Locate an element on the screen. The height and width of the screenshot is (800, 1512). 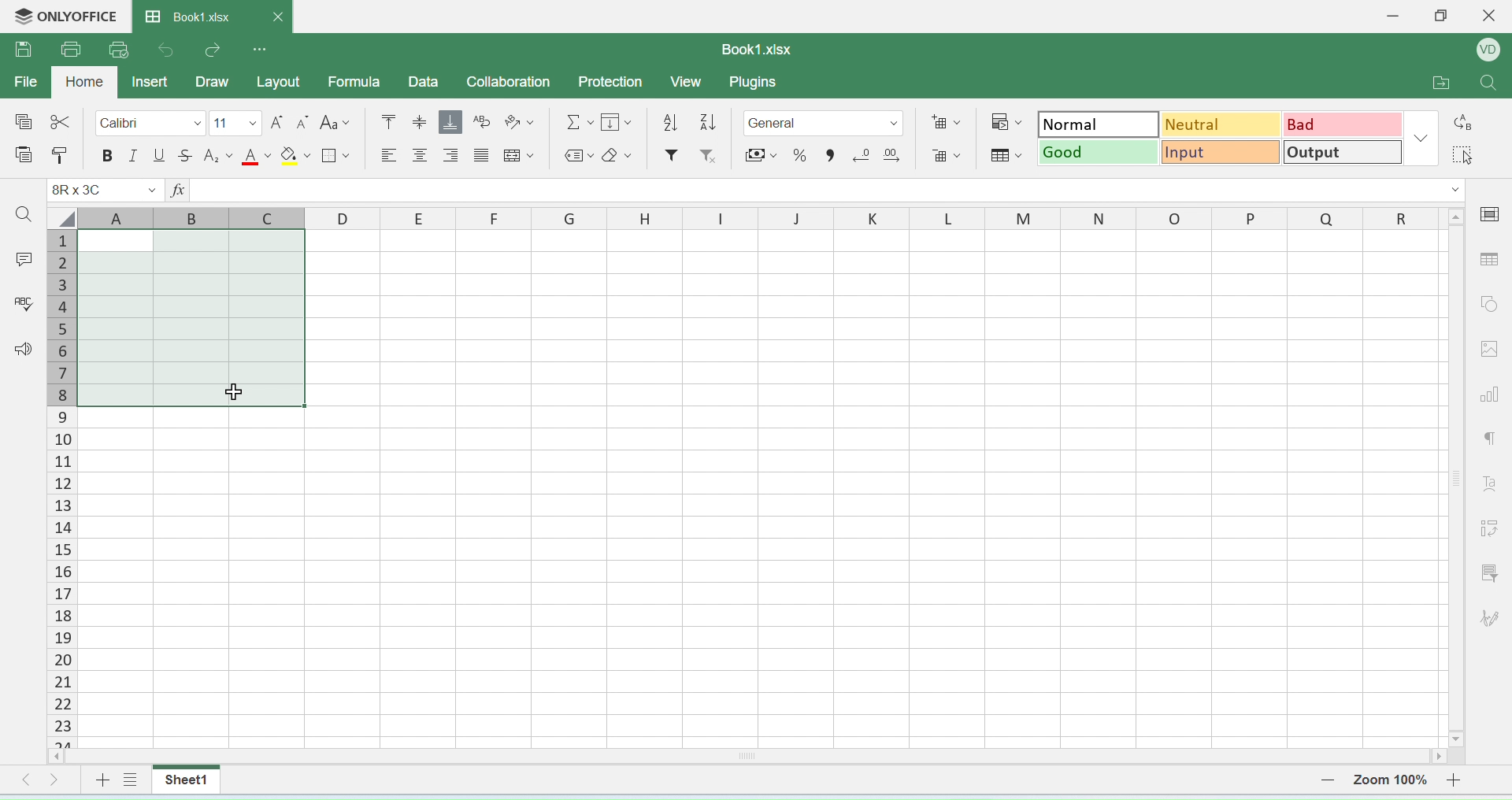
inser is located at coordinates (151, 80).